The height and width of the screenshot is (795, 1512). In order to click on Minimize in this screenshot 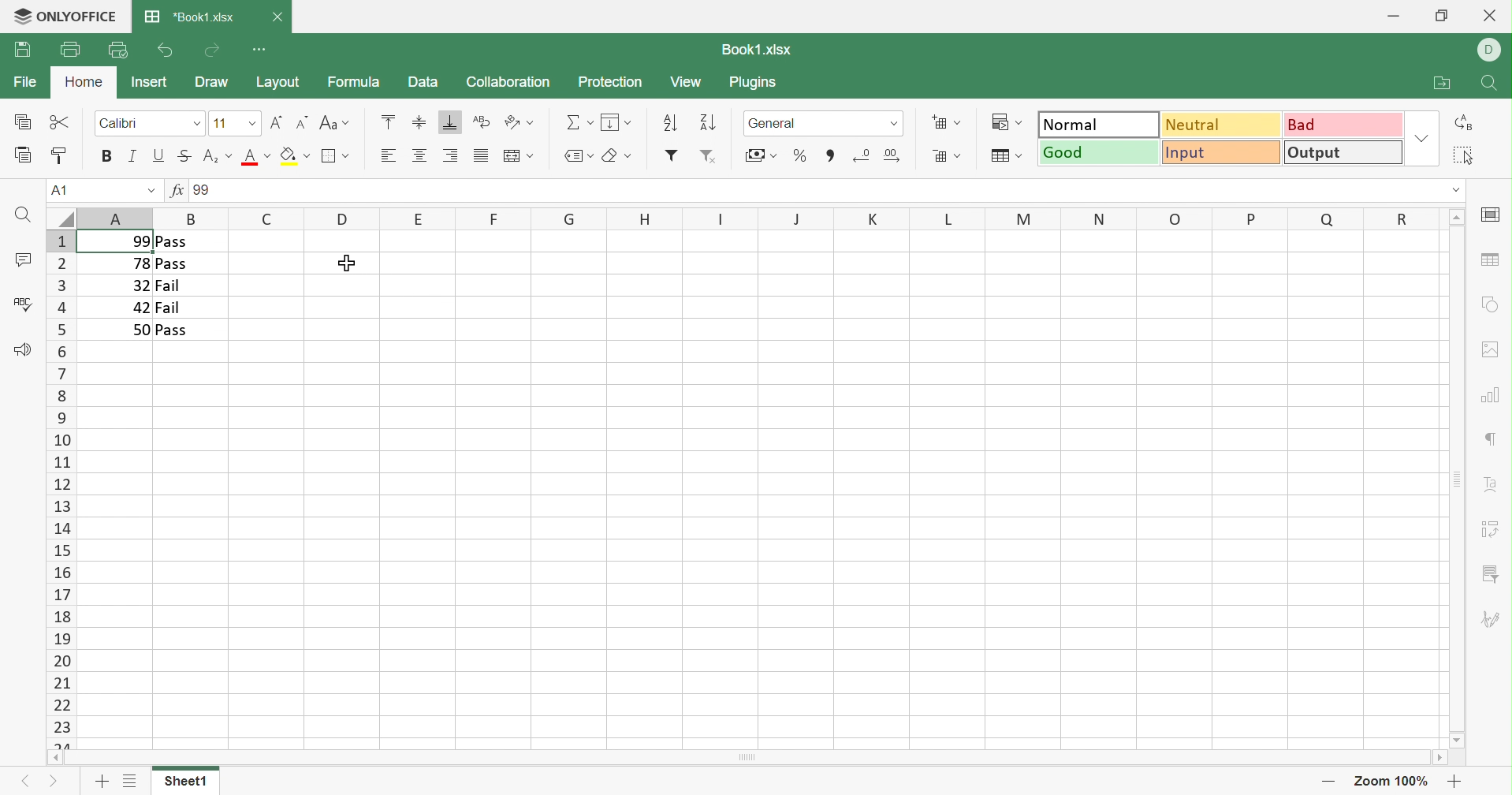, I will do `click(1396, 13)`.